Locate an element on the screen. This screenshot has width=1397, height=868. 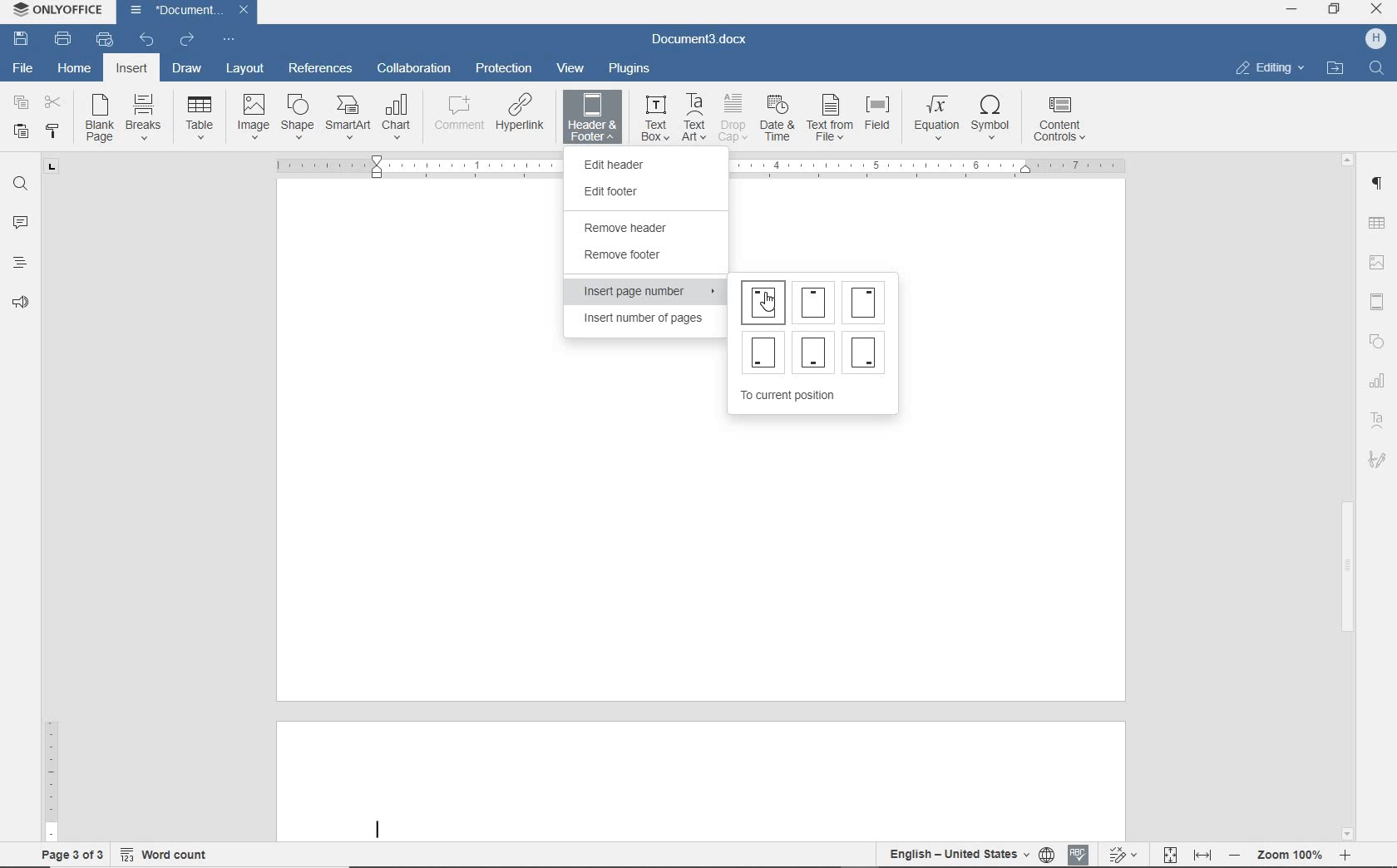
TEXT BOX is located at coordinates (654, 116).